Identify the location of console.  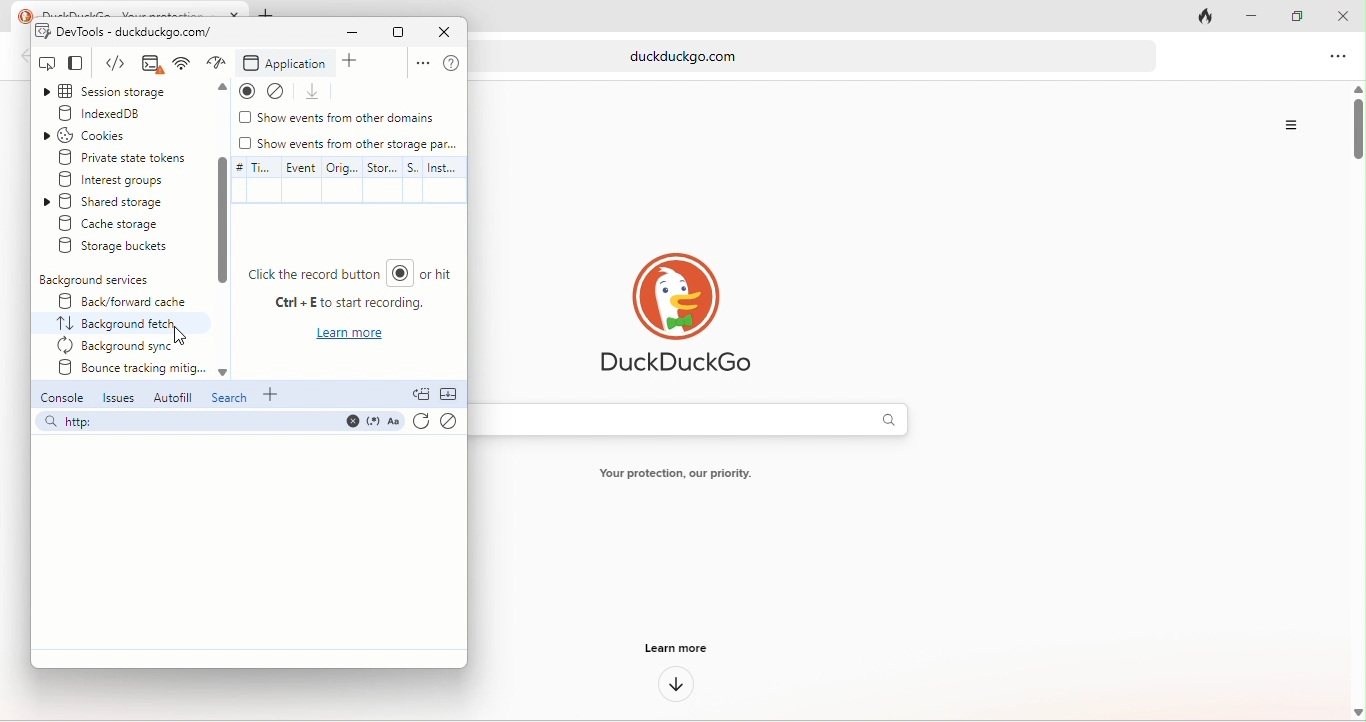
(60, 399).